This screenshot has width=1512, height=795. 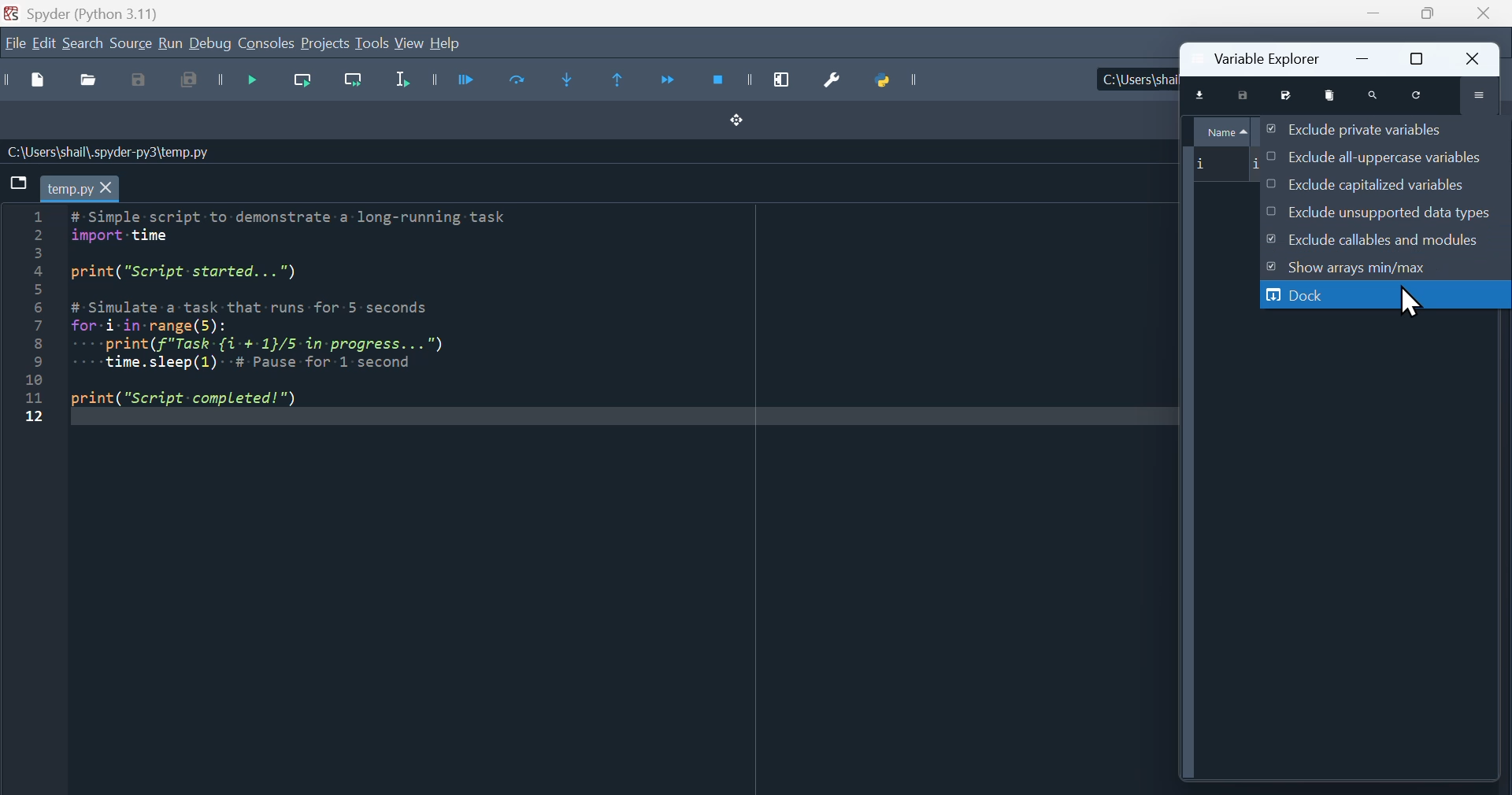 I want to click on cursor, so click(x=1411, y=303).